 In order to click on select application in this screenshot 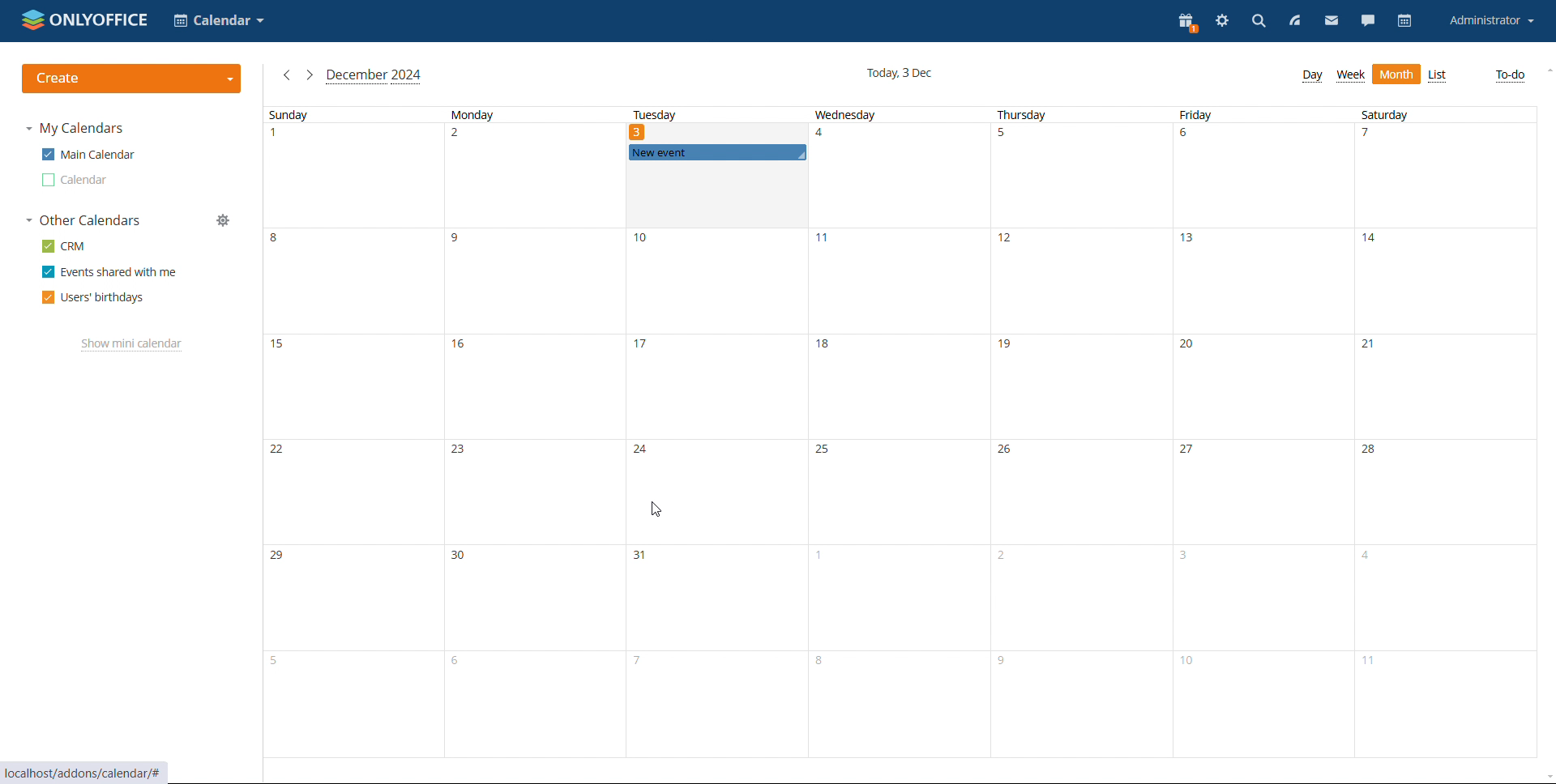, I will do `click(220, 21)`.